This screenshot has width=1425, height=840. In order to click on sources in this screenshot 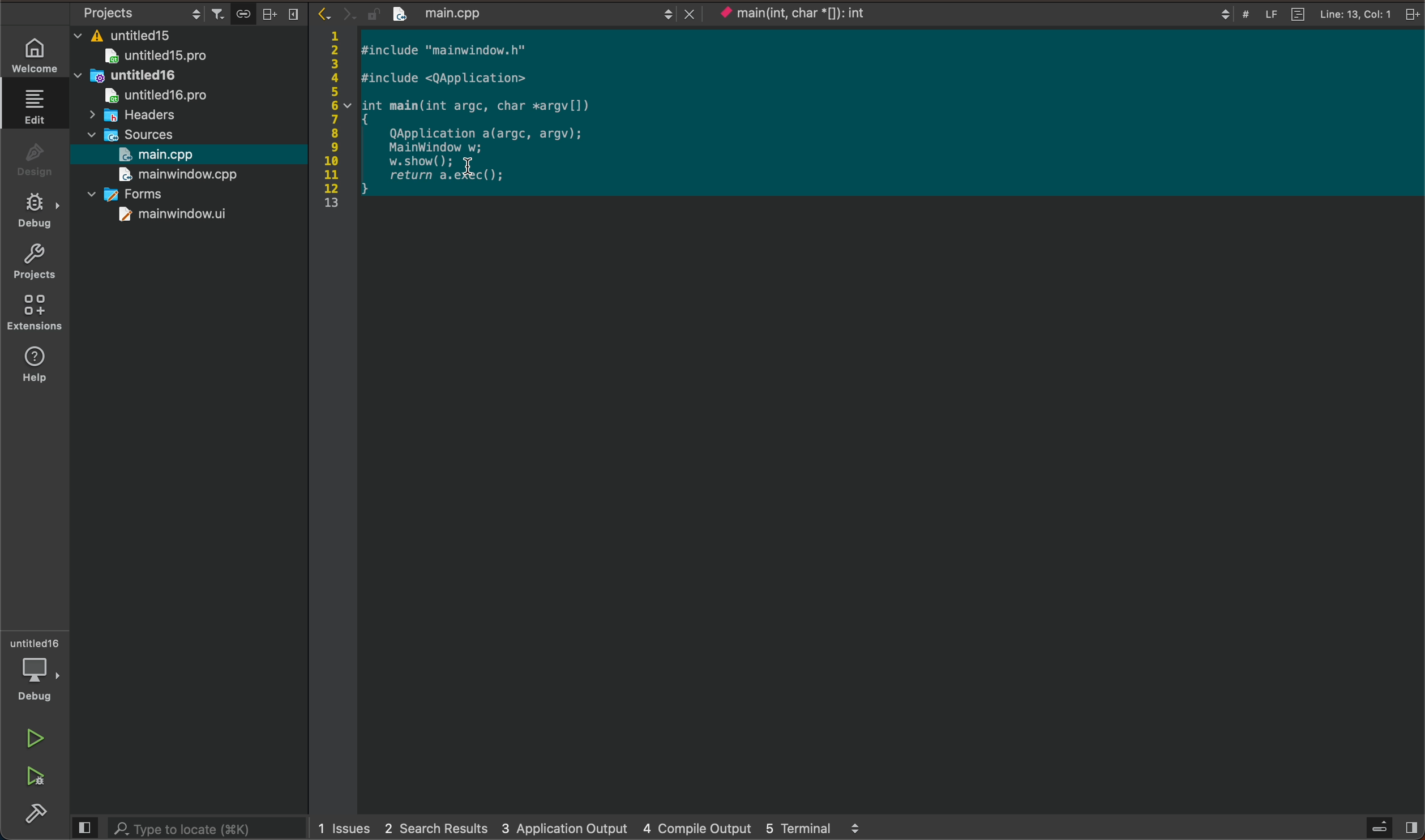, I will do `click(140, 133)`.